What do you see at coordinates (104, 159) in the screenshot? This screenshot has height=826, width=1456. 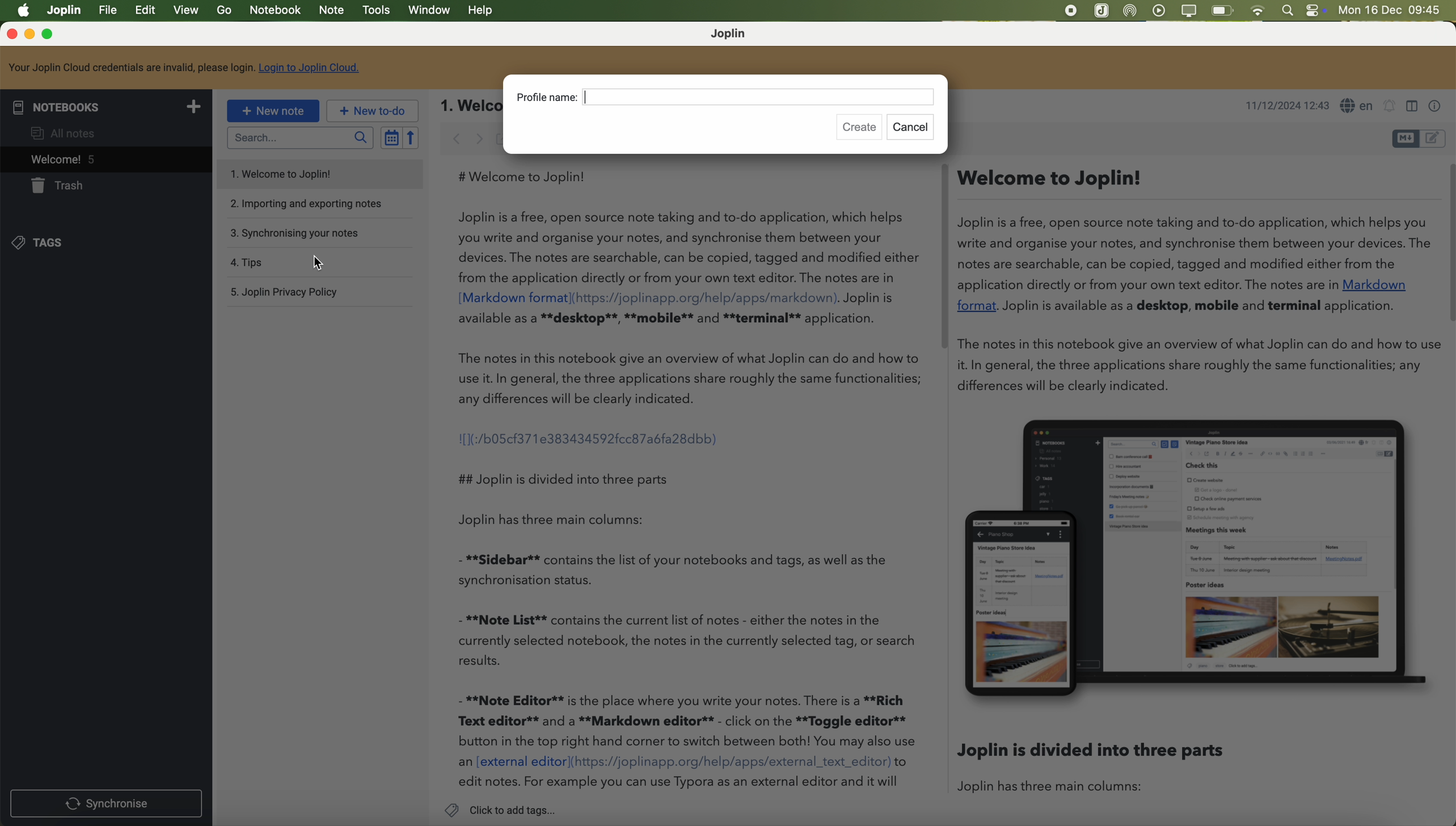 I see `welcome` at bounding box center [104, 159].